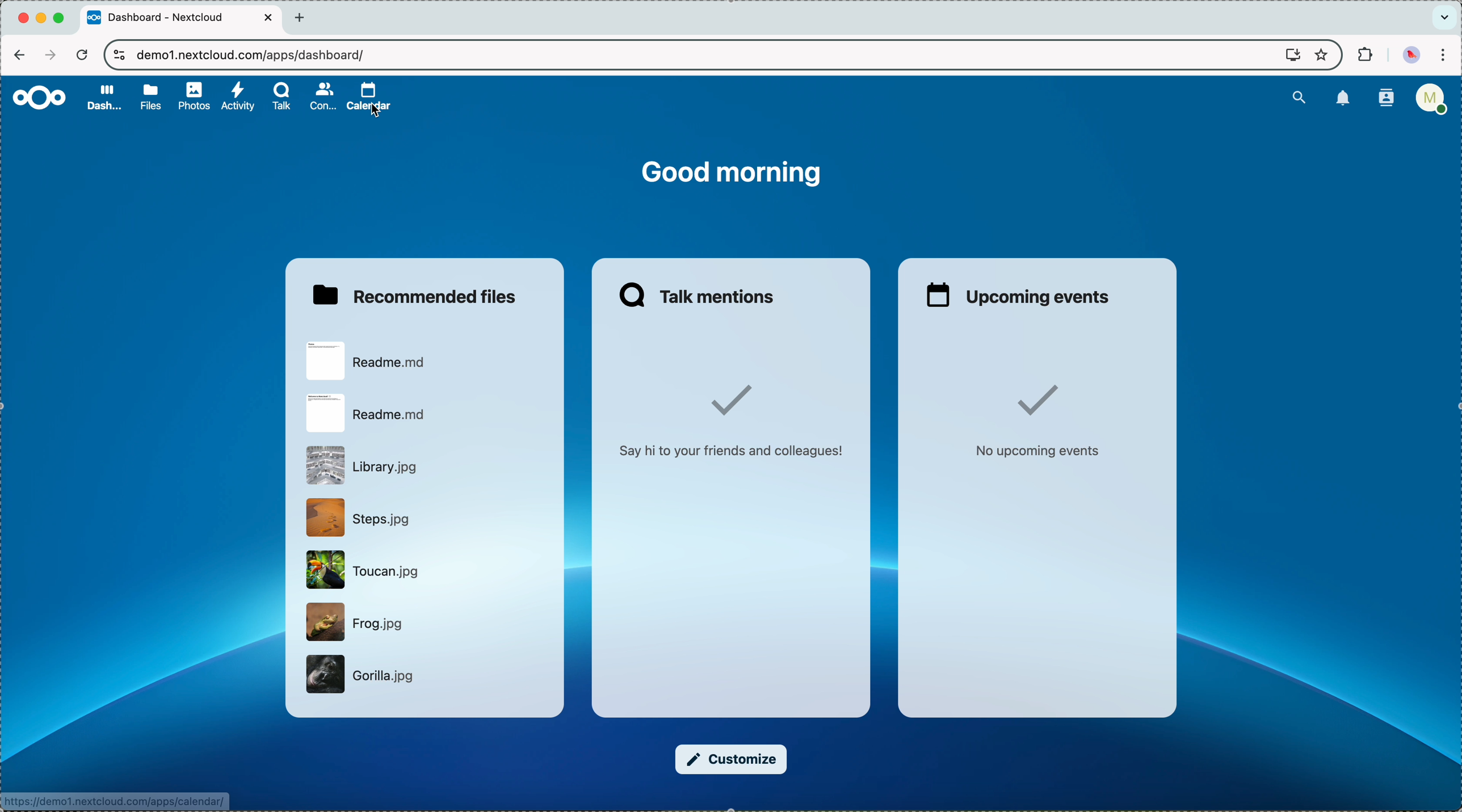 The width and height of the screenshot is (1462, 812). I want to click on navigate foward, so click(48, 55).